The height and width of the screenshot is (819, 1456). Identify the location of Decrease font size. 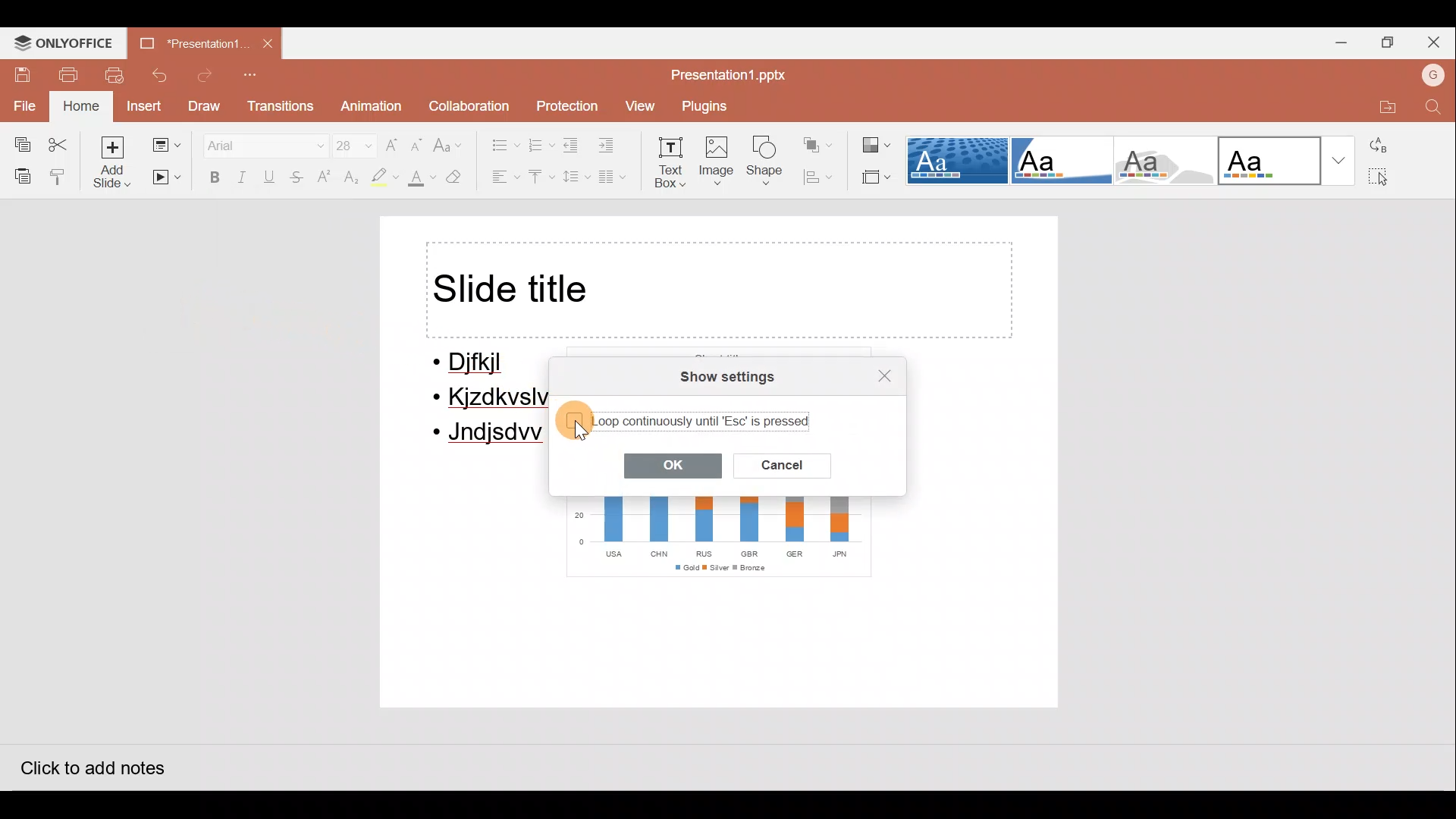
(416, 143).